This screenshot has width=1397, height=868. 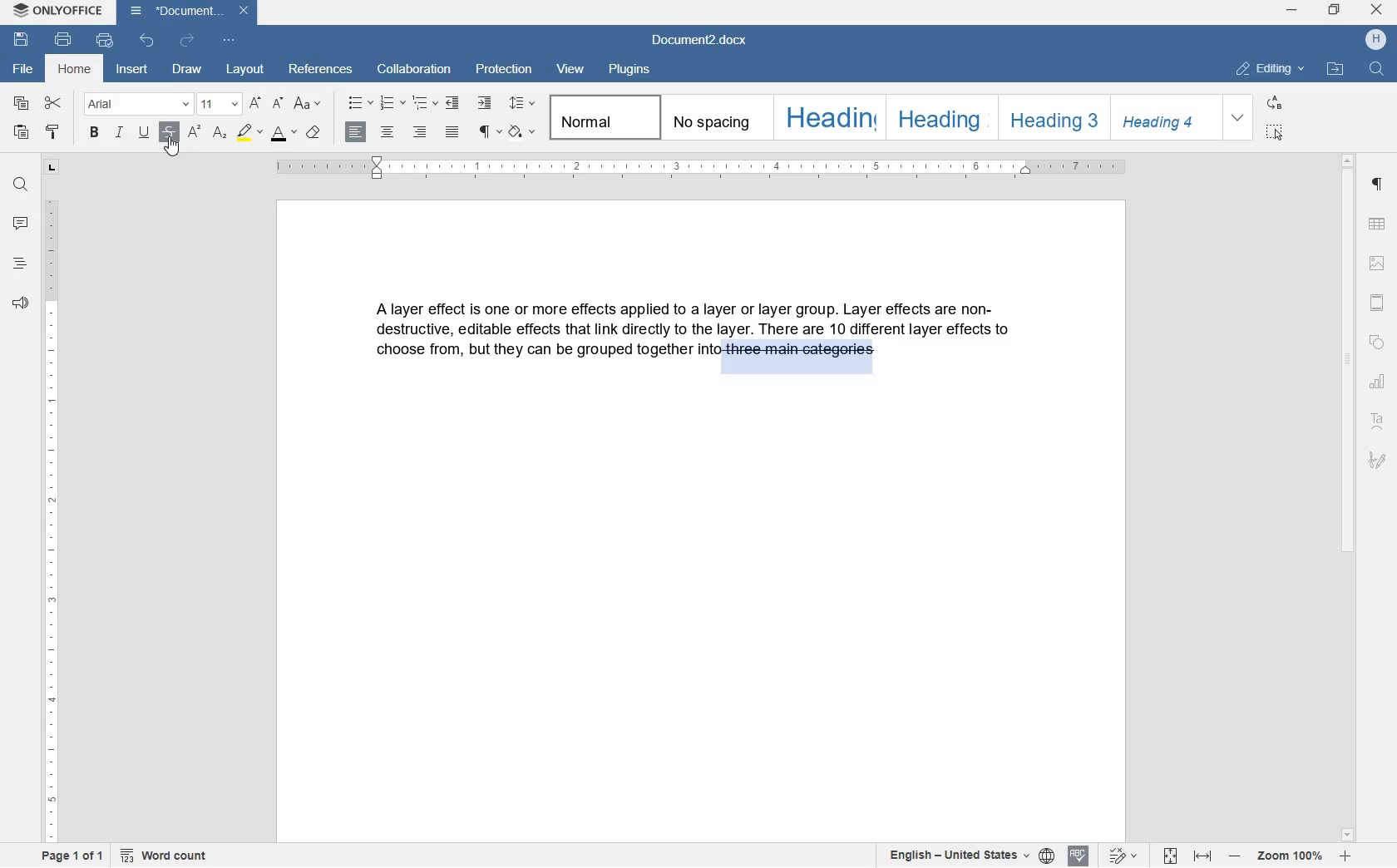 What do you see at coordinates (1380, 383) in the screenshot?
I see `chart ` at bounding box center [1380, 383].